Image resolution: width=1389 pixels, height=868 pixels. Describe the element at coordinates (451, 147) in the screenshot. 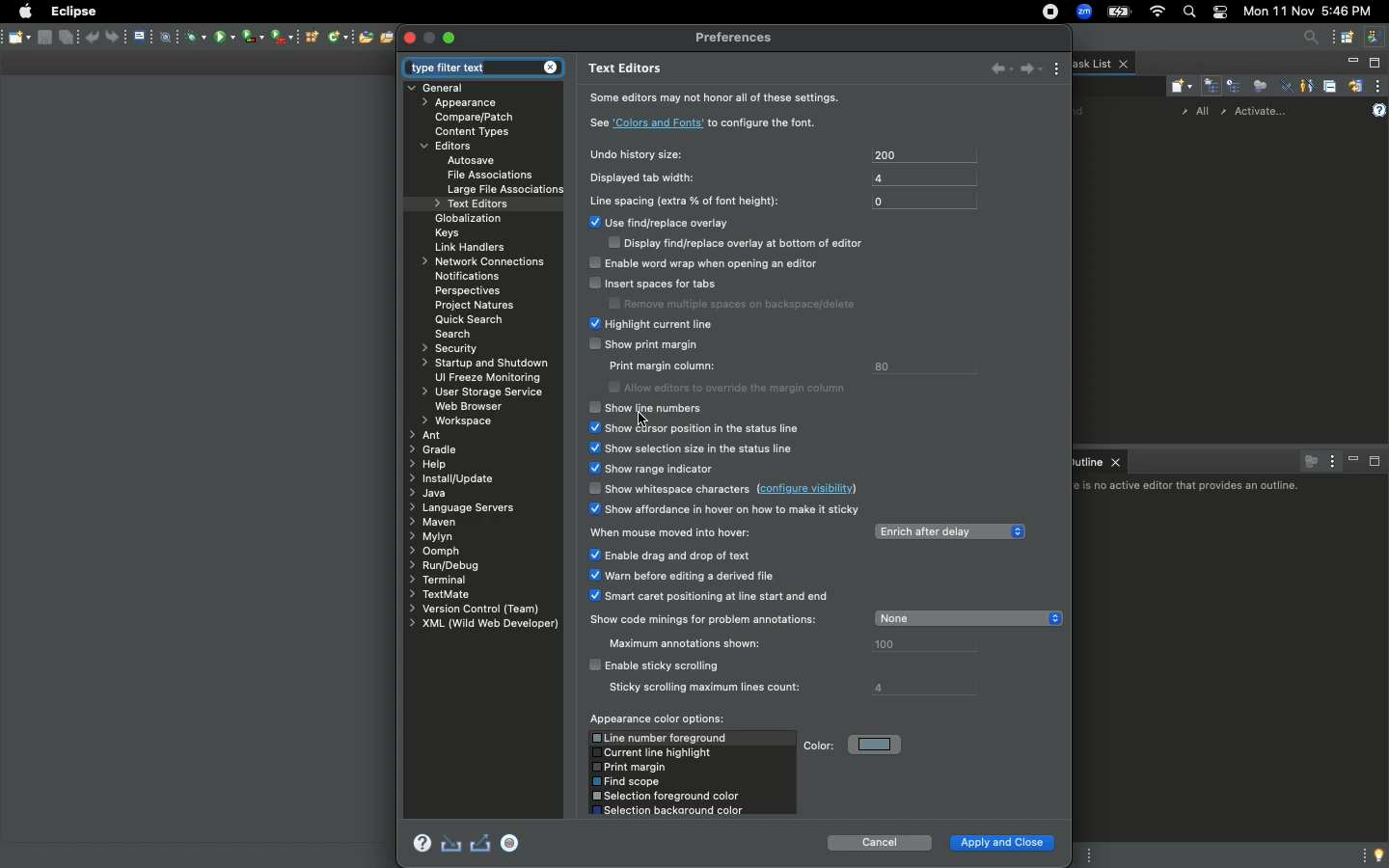

I see `Editors` at that location.